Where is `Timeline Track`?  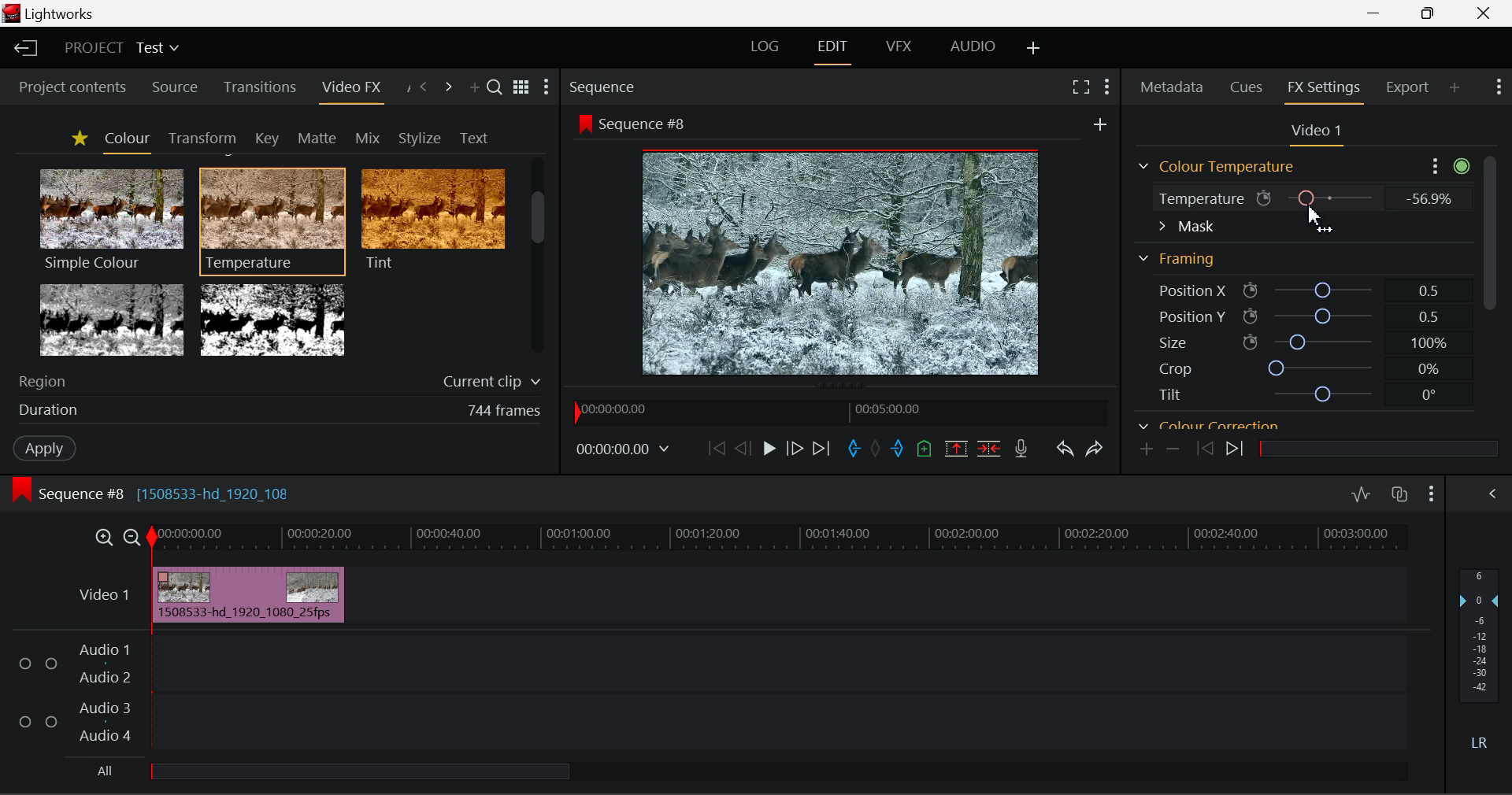 Timeline Track is located at coordinates (781, 538).